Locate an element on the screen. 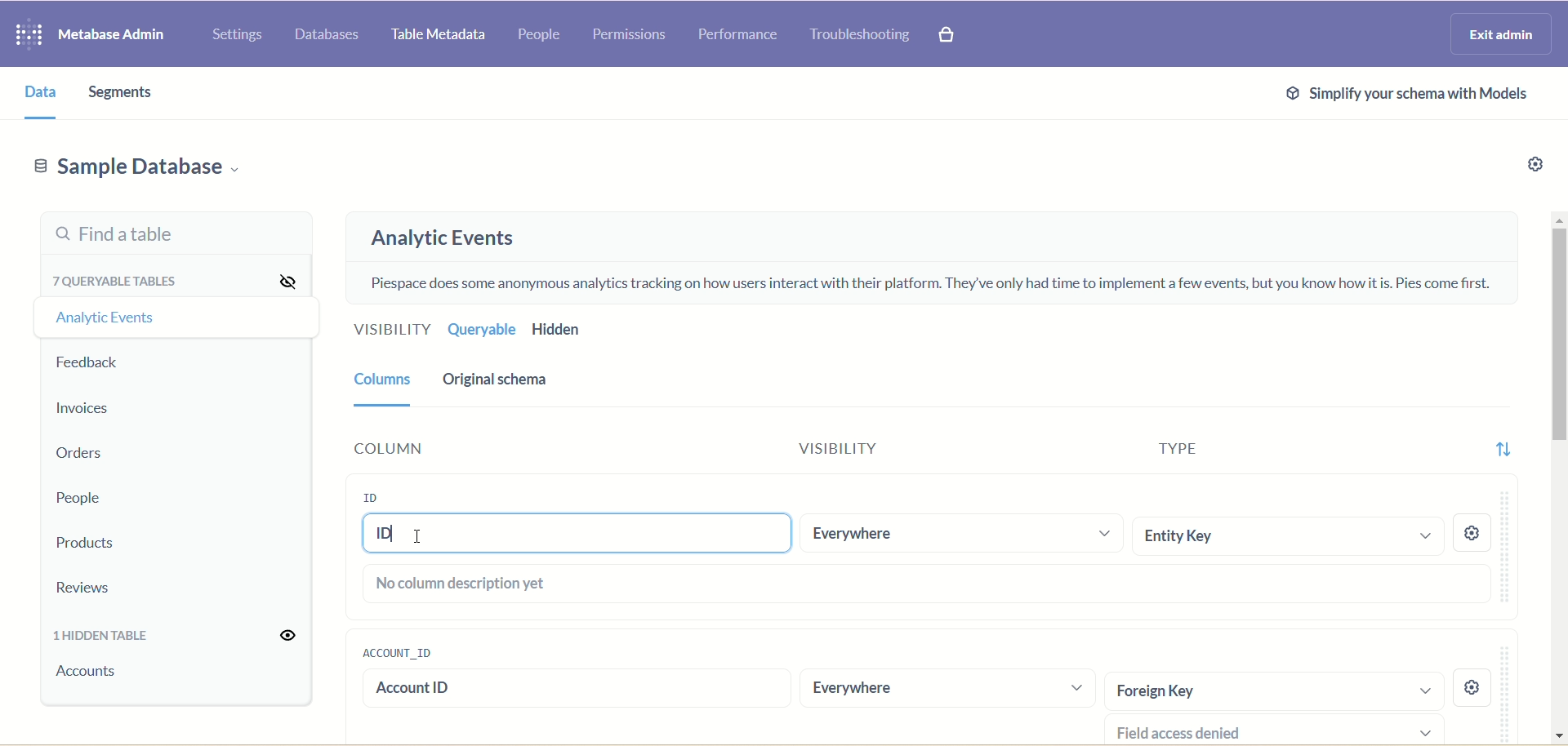 The height and width of the screenshot is (746, 1568). account_id is located at coordinates (394, 651).